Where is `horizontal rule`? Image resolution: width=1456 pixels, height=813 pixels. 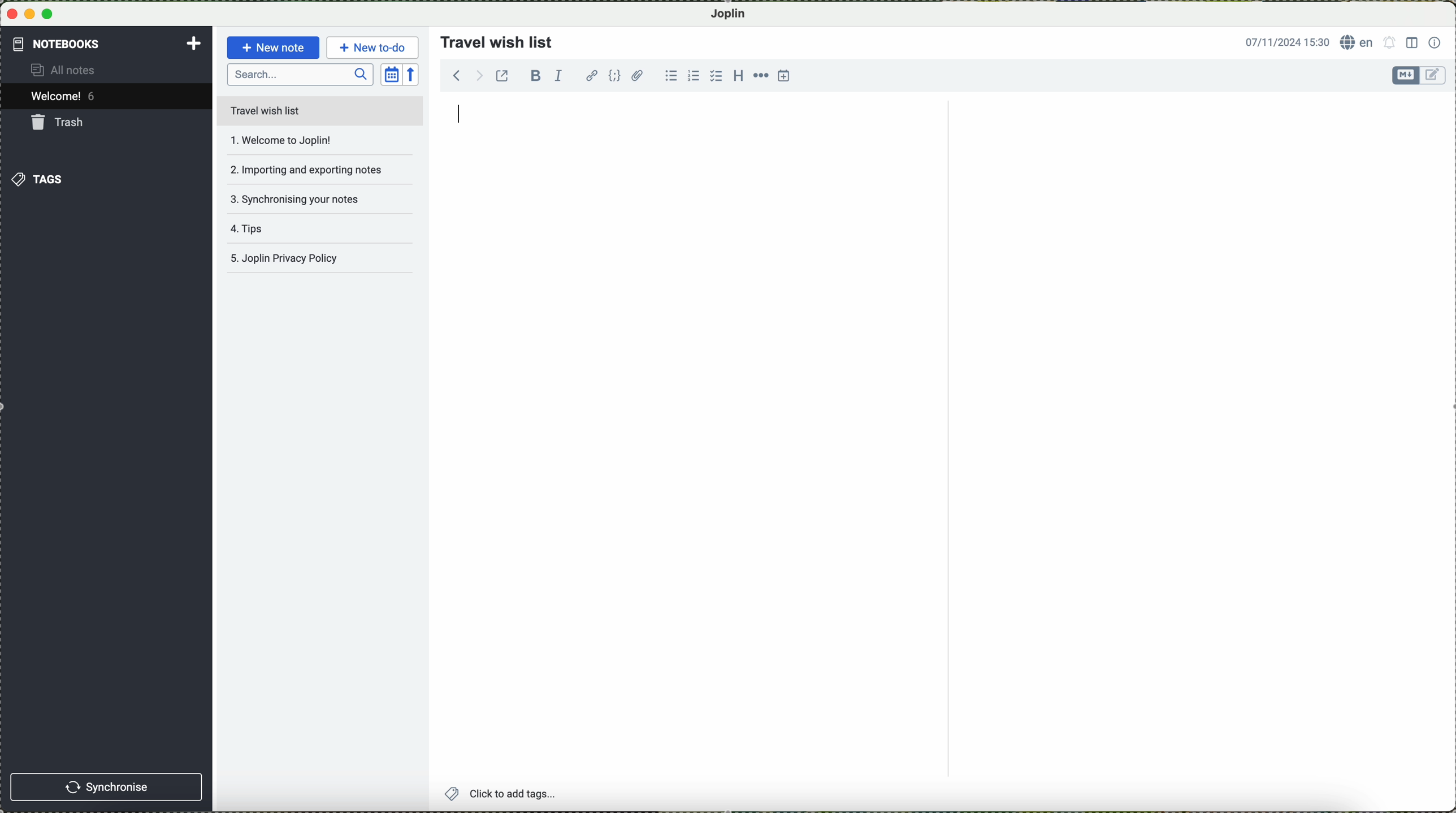
horizontal rule is located at coordinates (760, 75).